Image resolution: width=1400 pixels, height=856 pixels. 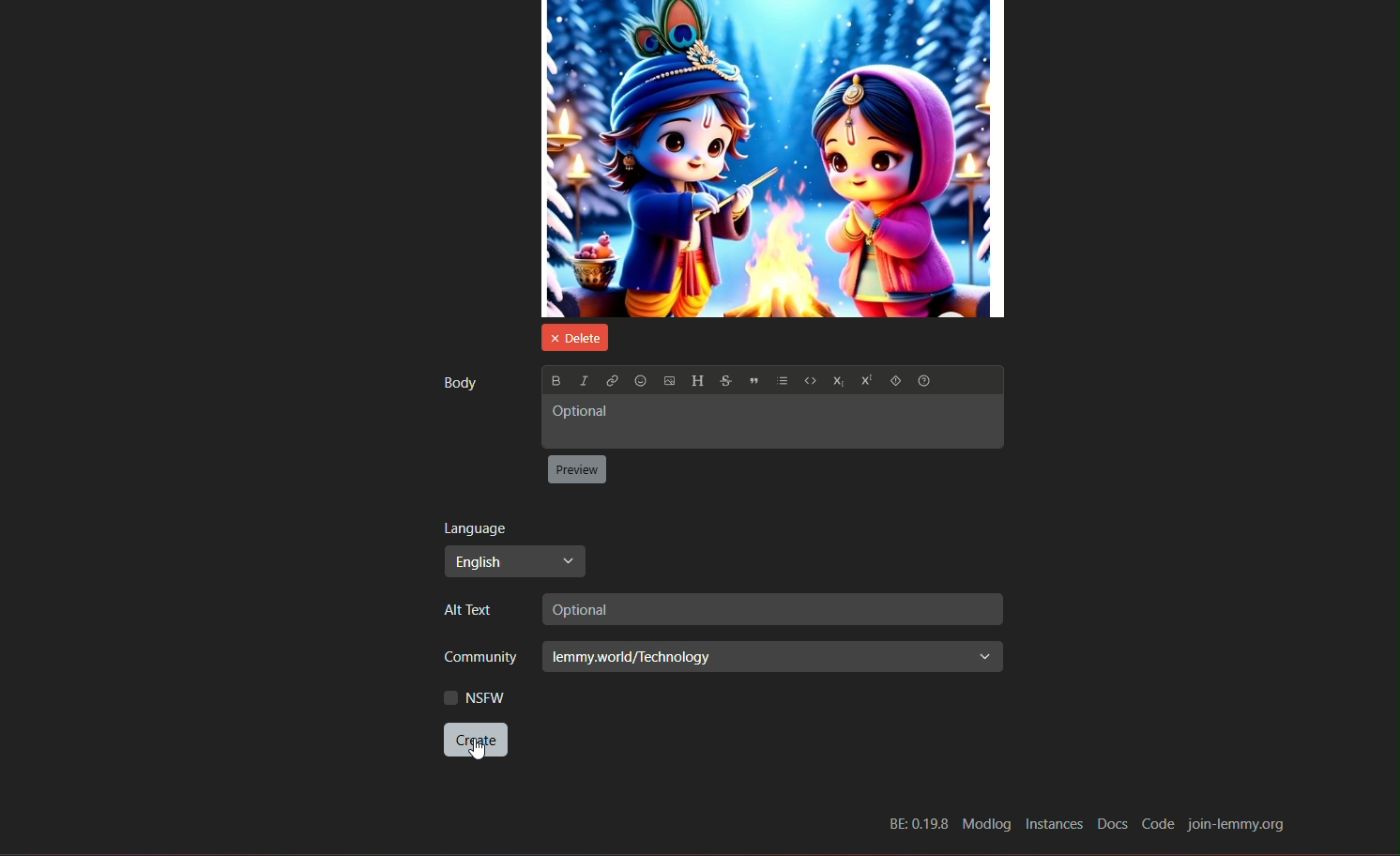 I want to click on , so click(x=894, y=382).